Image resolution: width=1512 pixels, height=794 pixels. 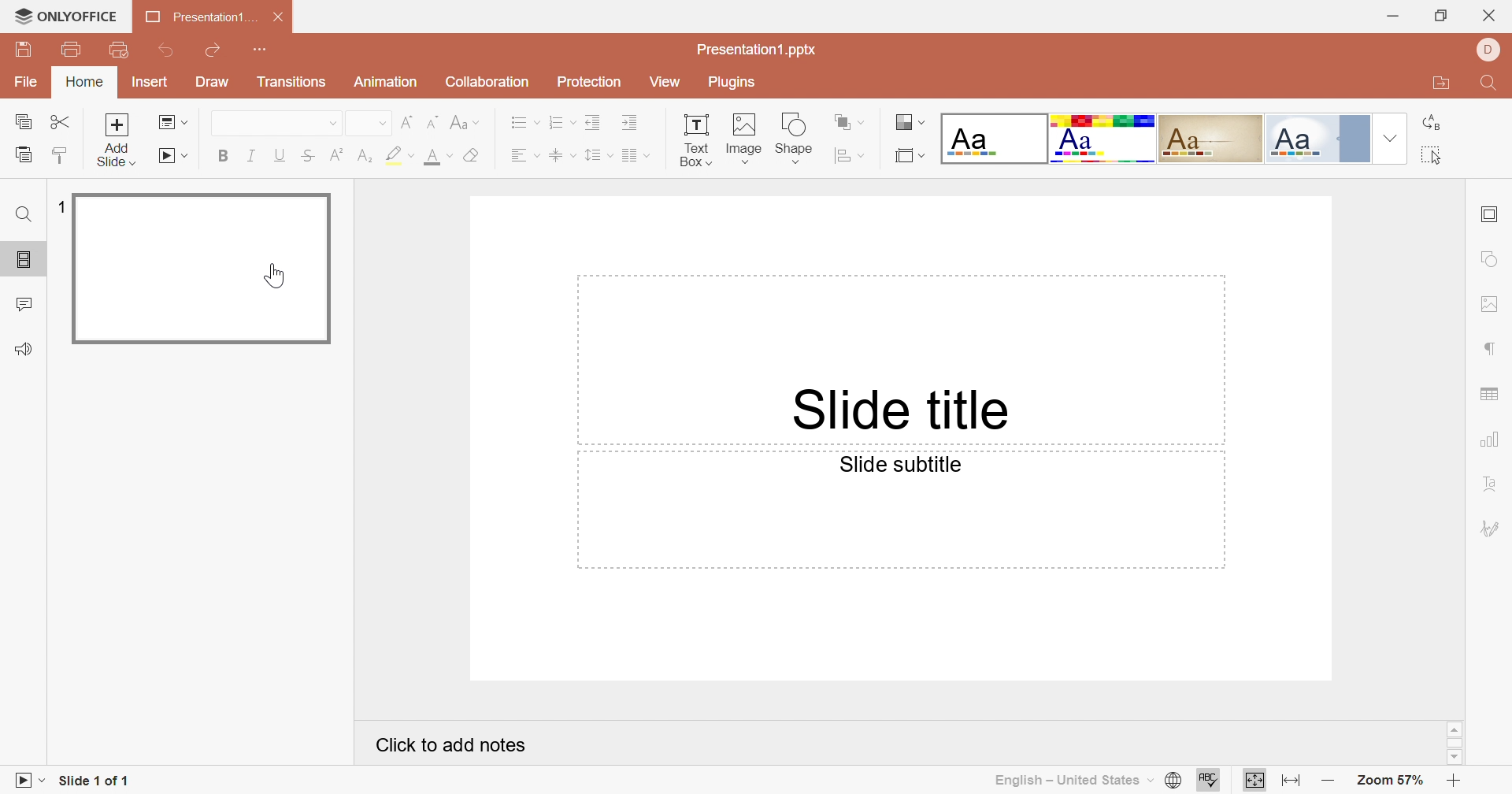 What do you see at coordinates (1066, 779) in the screenshot?
I see `English - United States` at bounding box center [1066, 779].